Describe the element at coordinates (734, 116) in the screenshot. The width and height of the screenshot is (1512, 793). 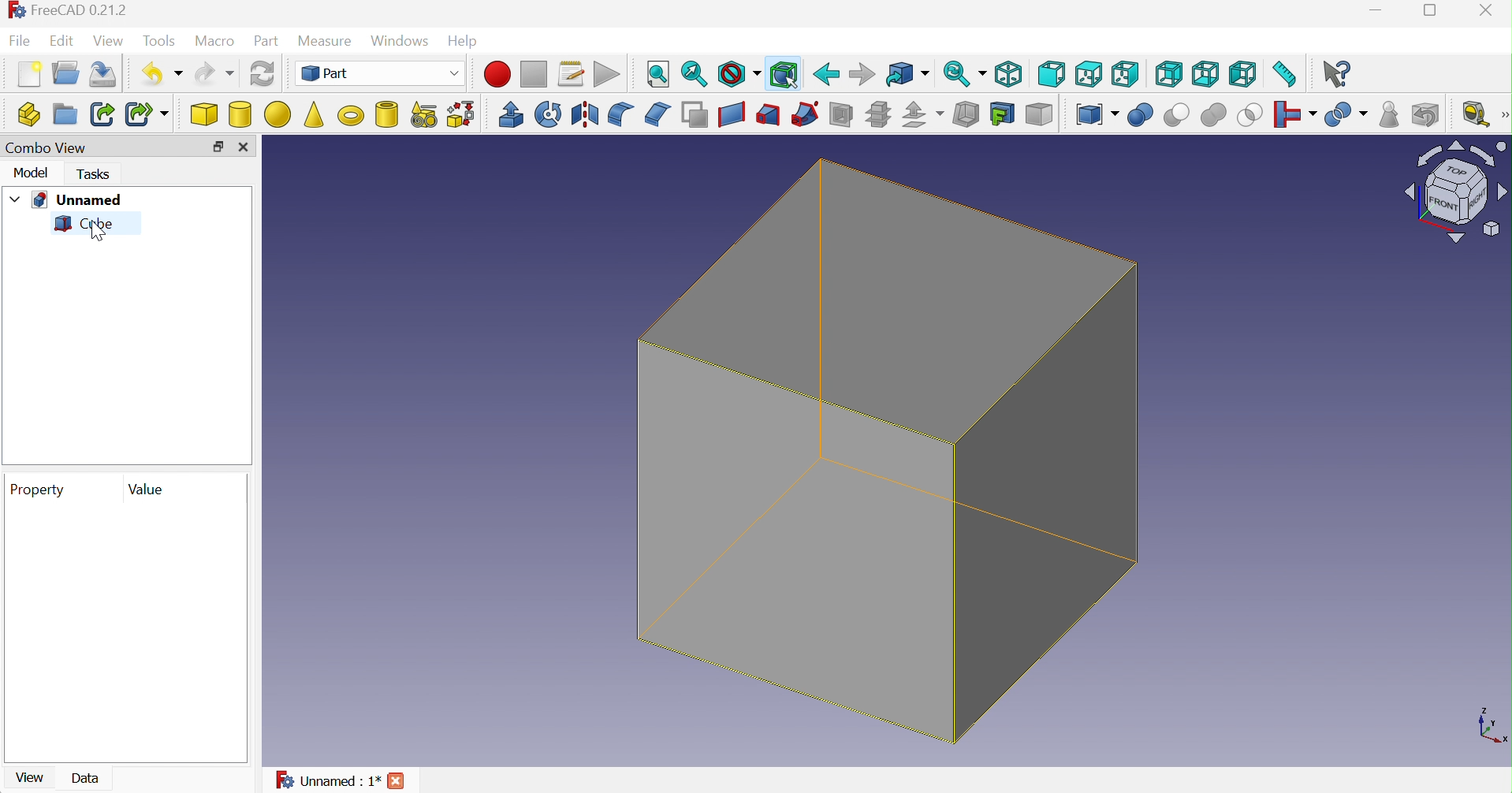
I see `Create ruled surface` at that location.